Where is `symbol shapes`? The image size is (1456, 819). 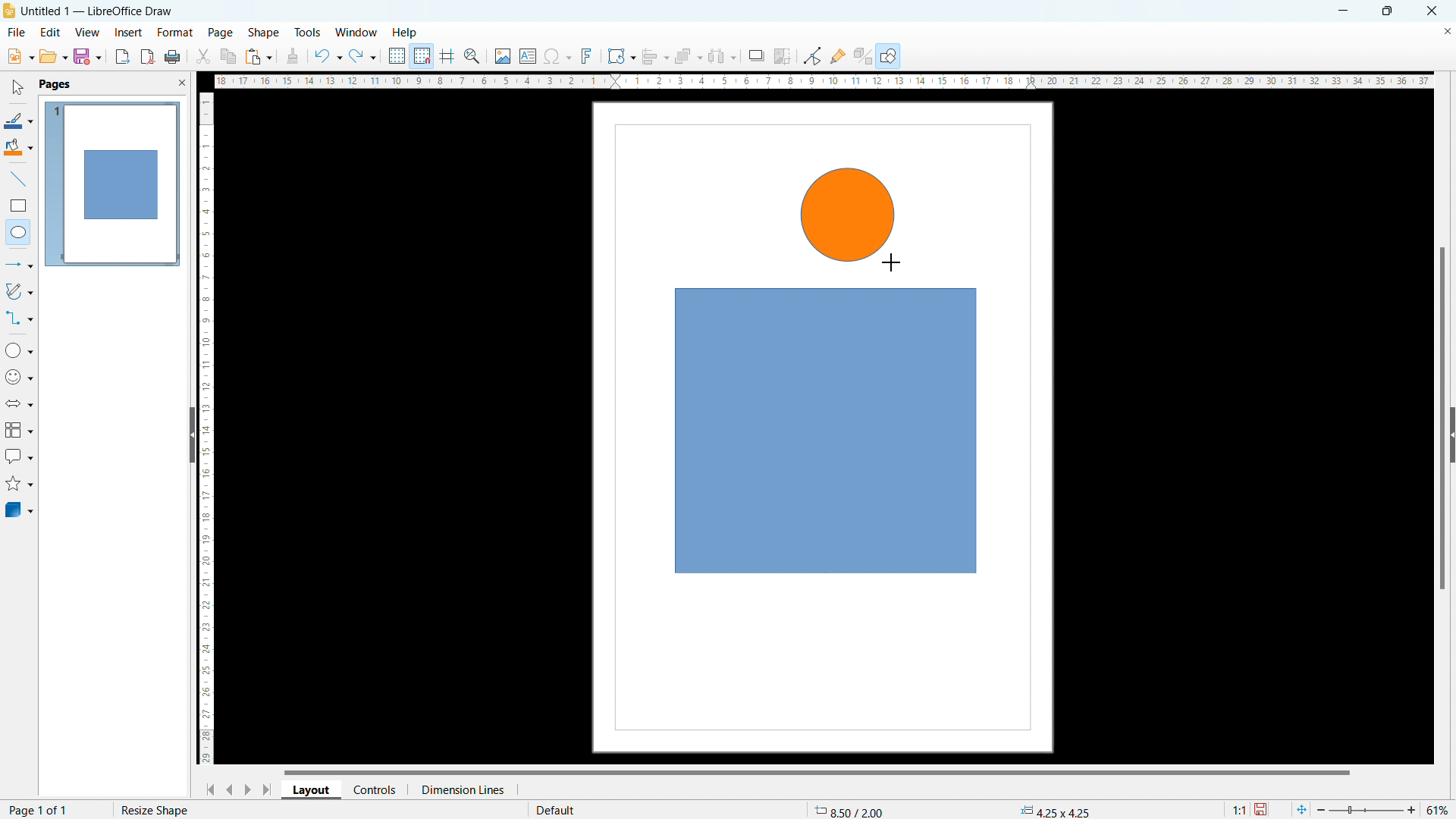 symbol shapes is located at coordinates (20, 377).